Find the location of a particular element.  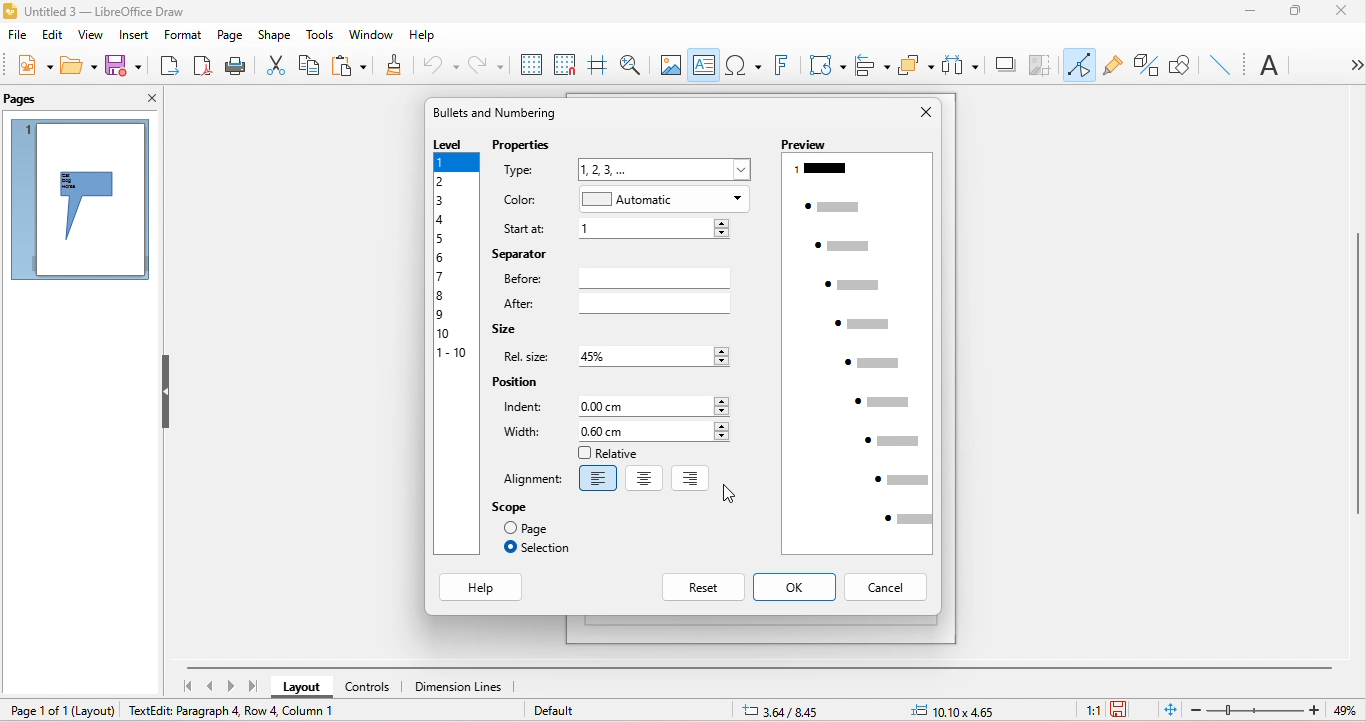

dimension lines is located at coordinates (466, 690).